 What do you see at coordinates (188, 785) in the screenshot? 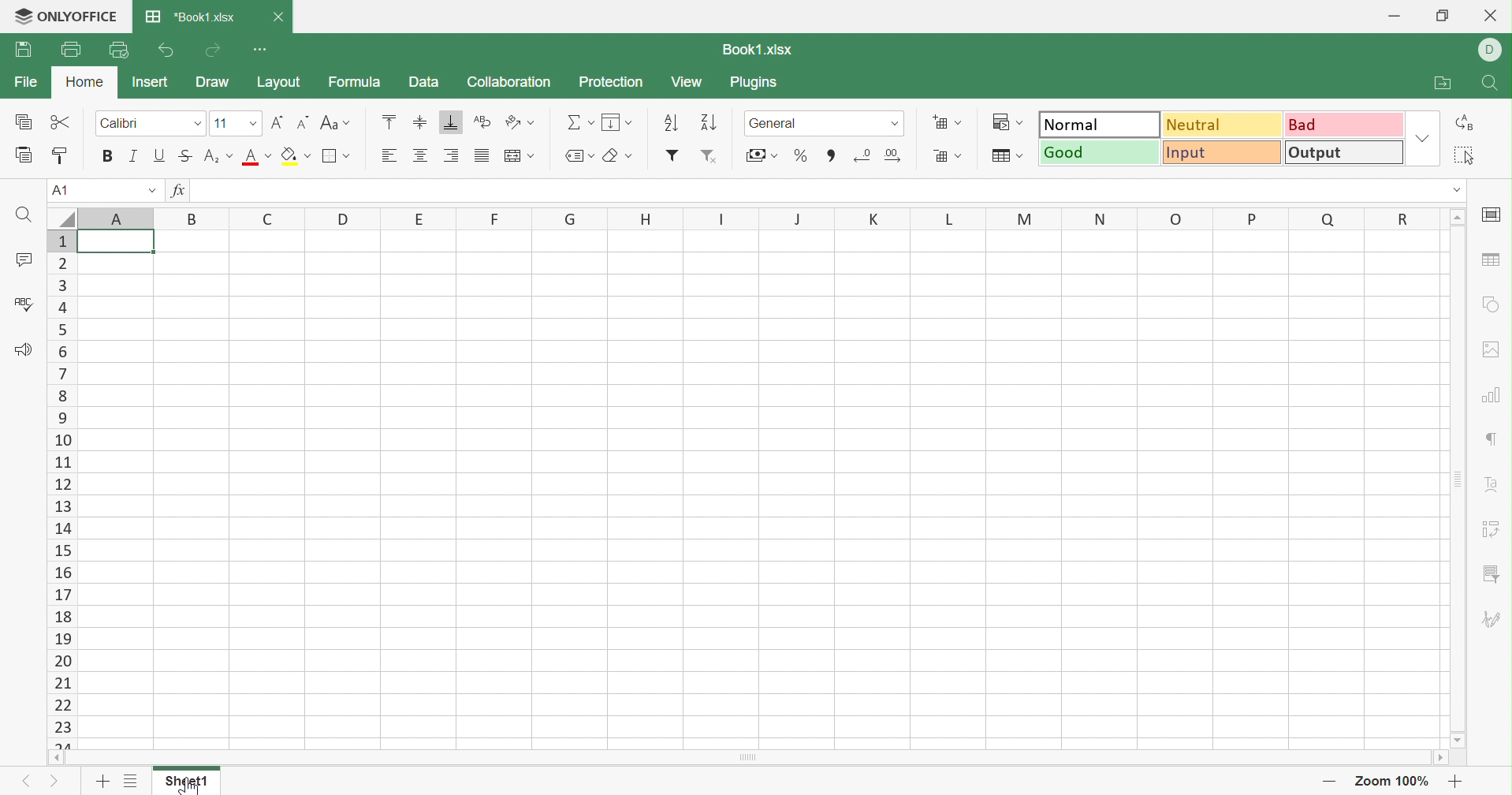
I see `Sheet1` at bounding box center [188, 785].